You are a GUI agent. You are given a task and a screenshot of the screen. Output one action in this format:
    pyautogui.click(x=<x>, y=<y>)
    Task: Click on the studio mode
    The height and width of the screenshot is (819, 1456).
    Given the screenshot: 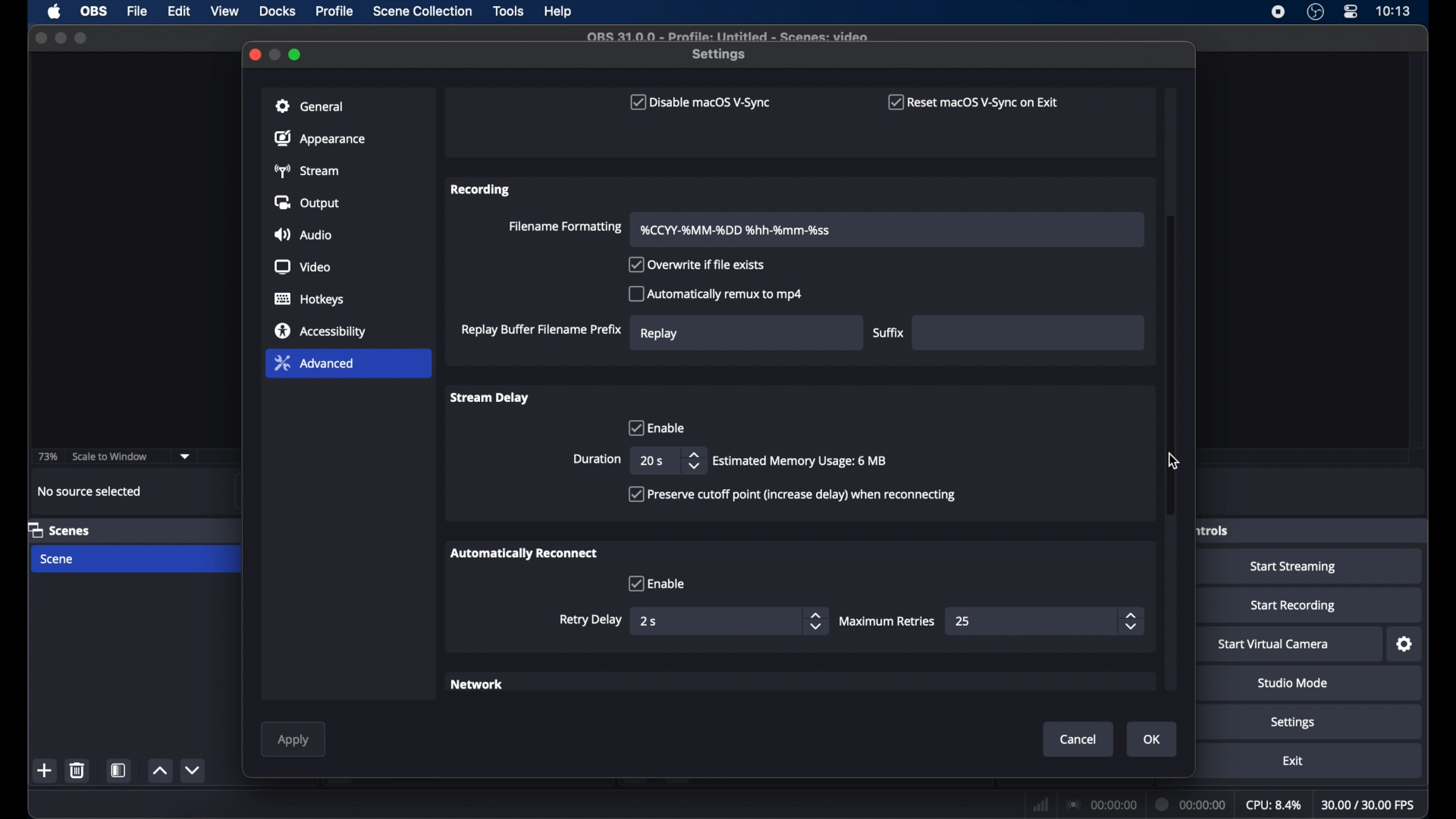 What is the action you would take?
    pyautogui.click(x=1293, y=684)
    